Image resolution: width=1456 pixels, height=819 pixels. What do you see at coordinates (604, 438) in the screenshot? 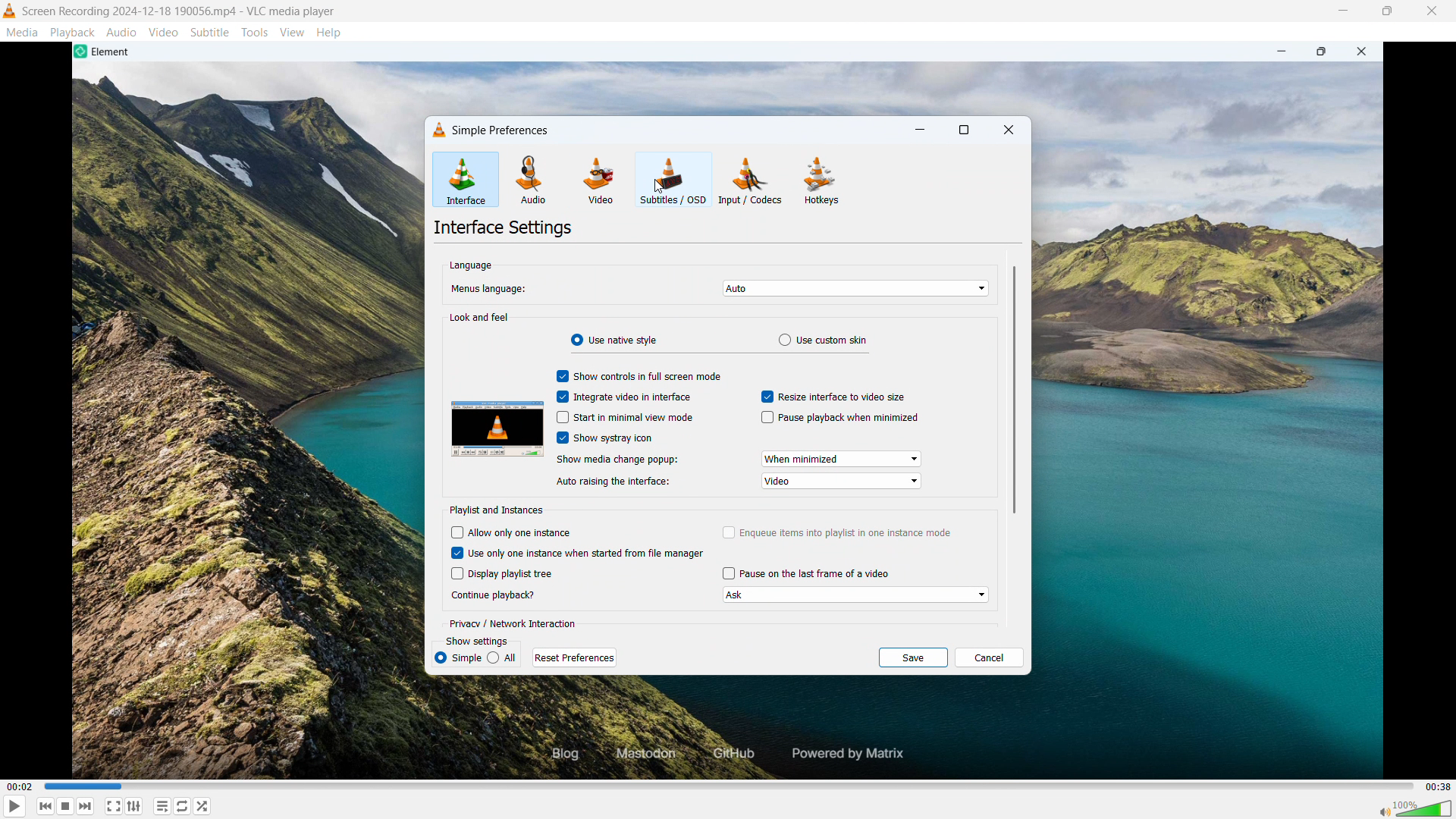
I see `Show system tray icon ` at bounding box center [604, 438].